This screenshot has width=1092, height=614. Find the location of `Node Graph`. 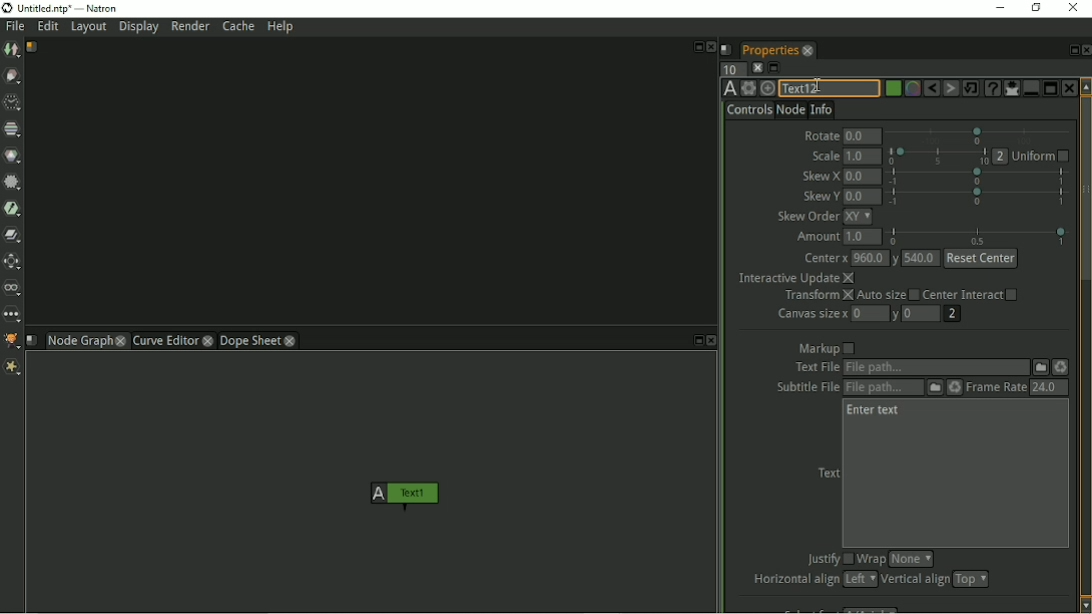

Node Graph is located at coordinates (78, 342).